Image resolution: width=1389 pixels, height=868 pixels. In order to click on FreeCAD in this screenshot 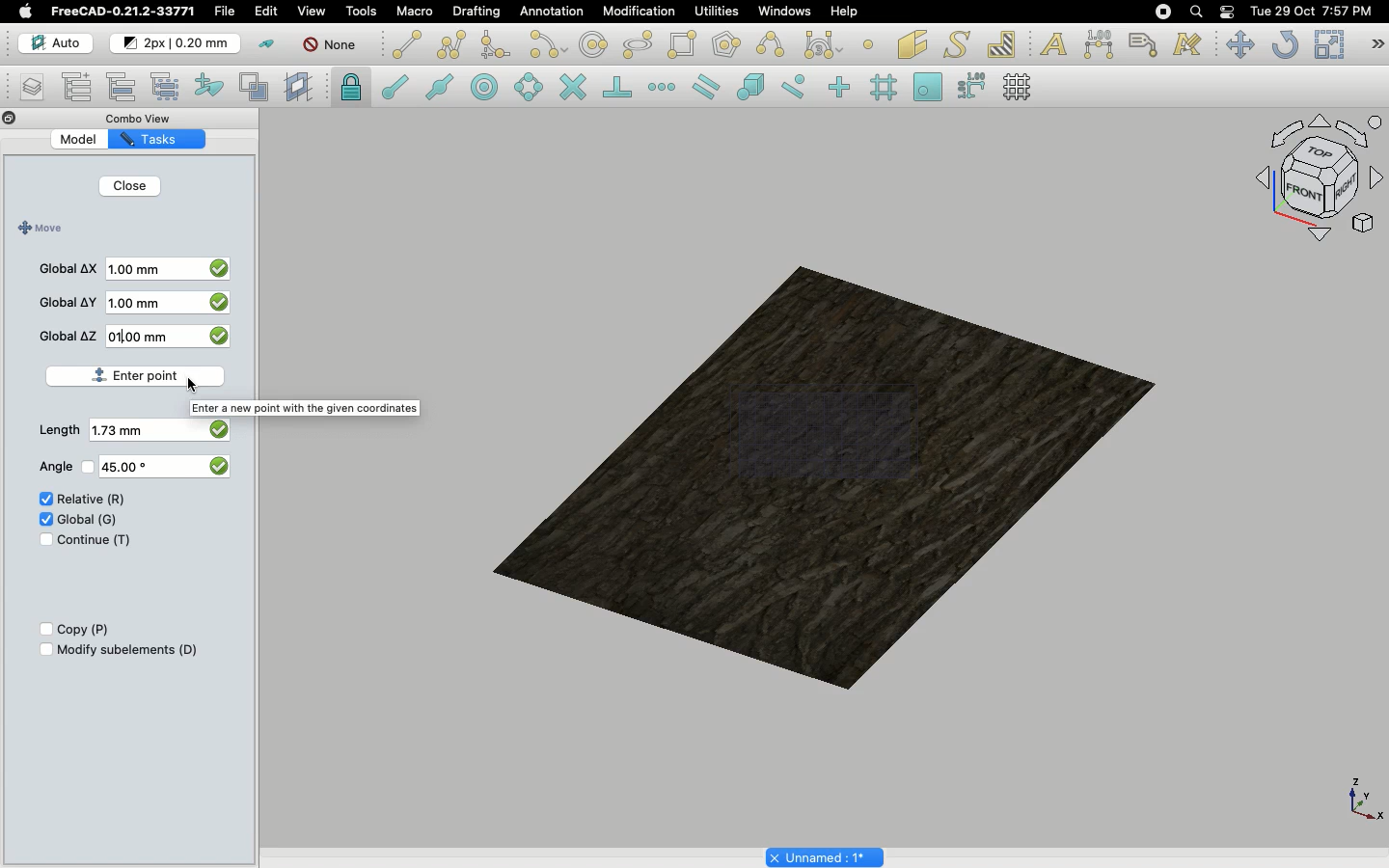, I will do `click(124, 12)`.